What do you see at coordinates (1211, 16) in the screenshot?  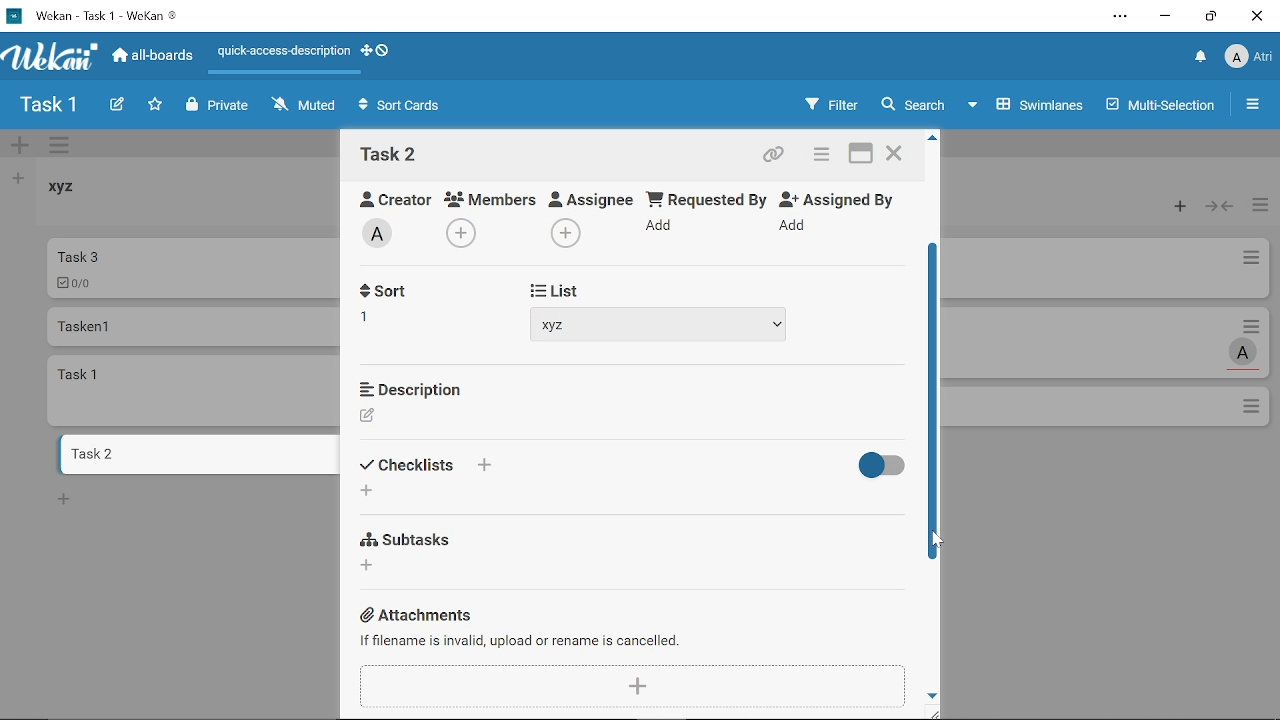 I see `Restore down` at bounding box center [1211, 16].